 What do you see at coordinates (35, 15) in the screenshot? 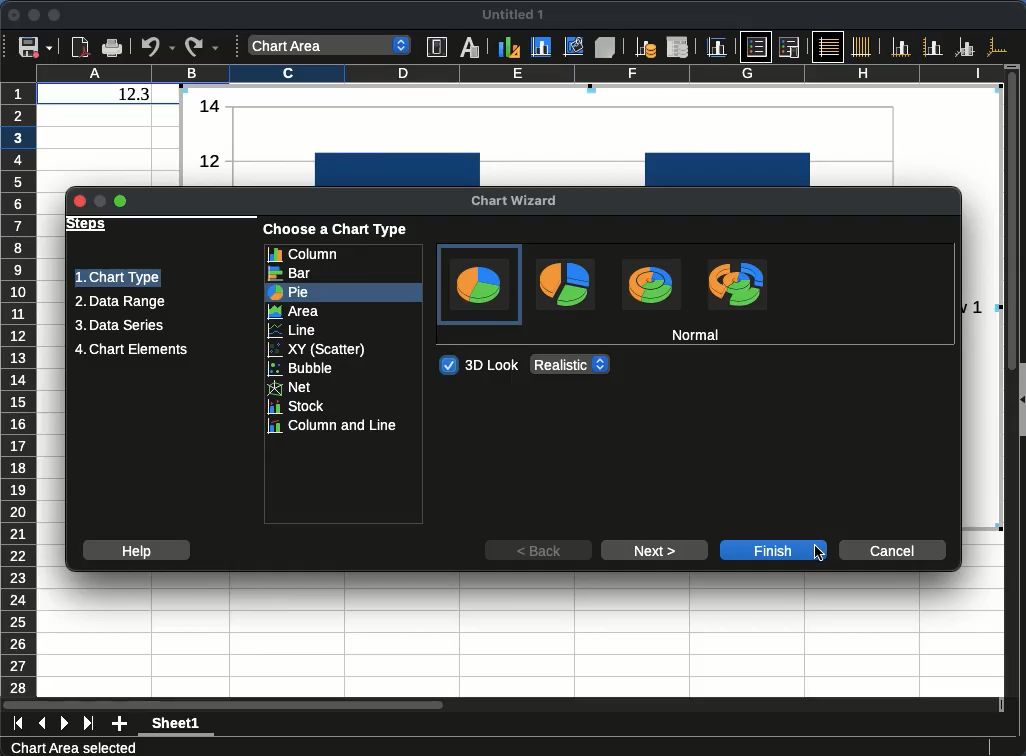
I see `minimize` at bounding box center [35, 15].